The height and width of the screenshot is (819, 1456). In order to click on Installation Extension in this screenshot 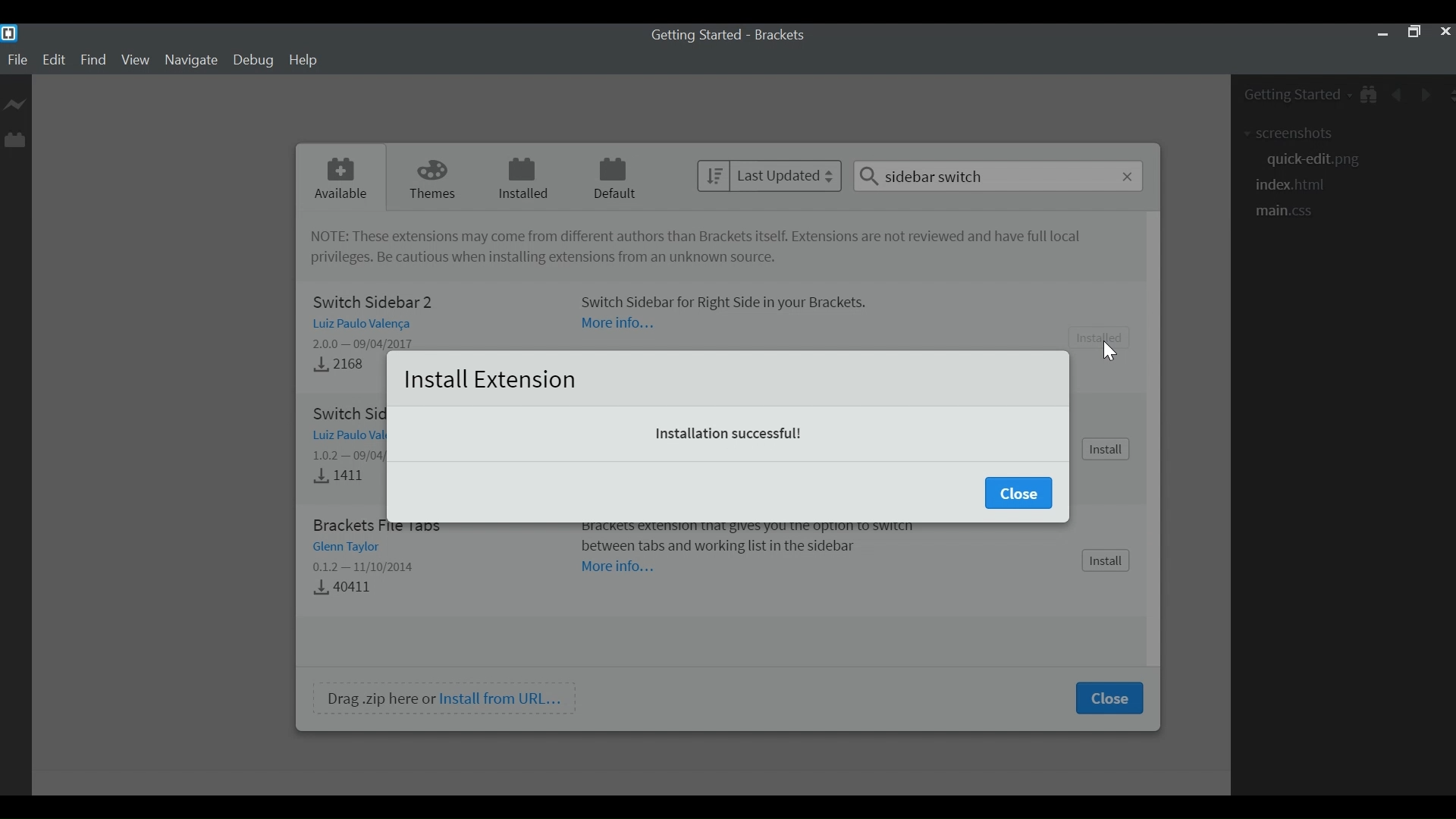, I will do `click(490, 378)`.